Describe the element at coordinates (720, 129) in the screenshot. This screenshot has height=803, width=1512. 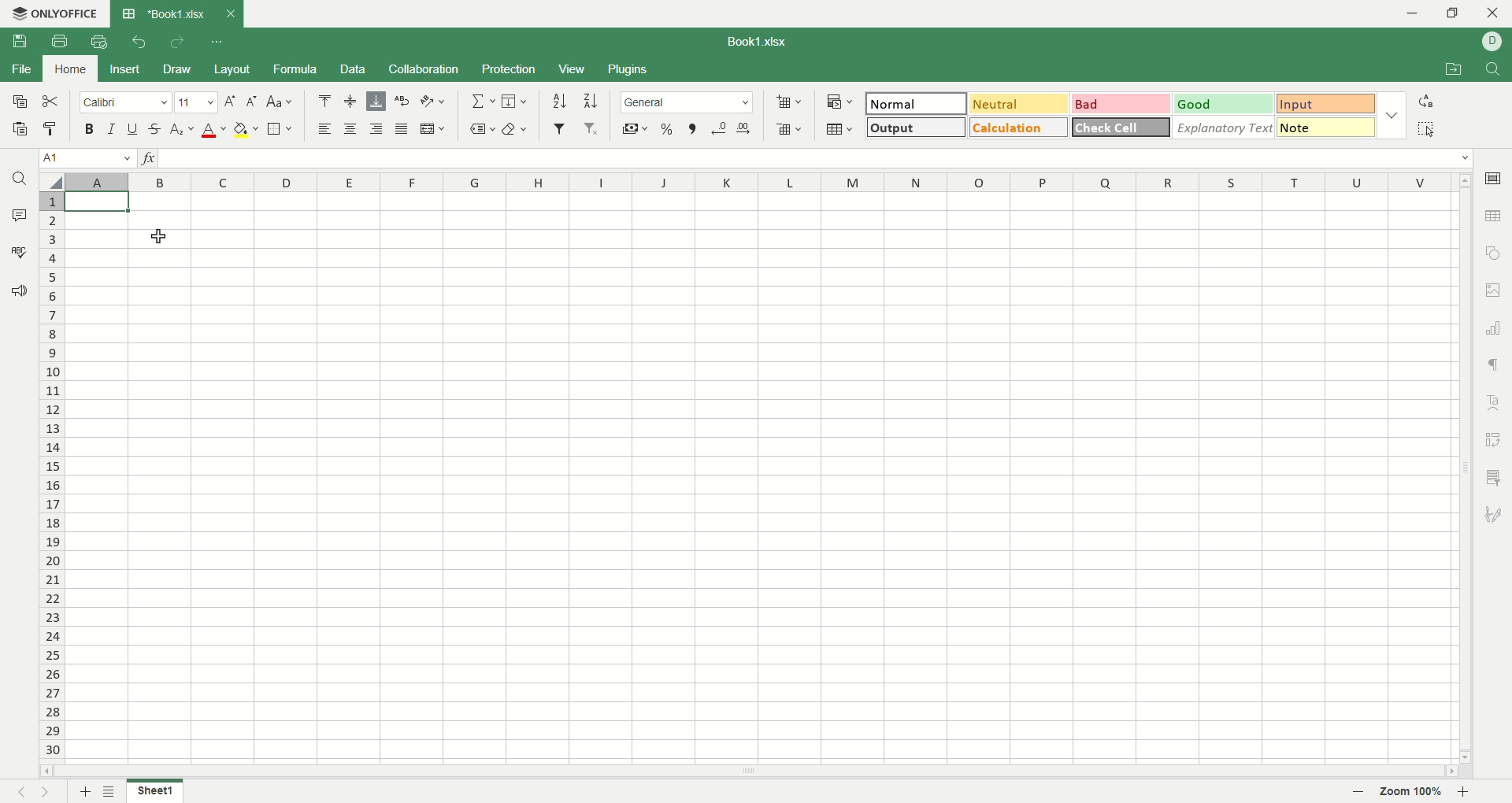
I see `increase decimal` at that location.